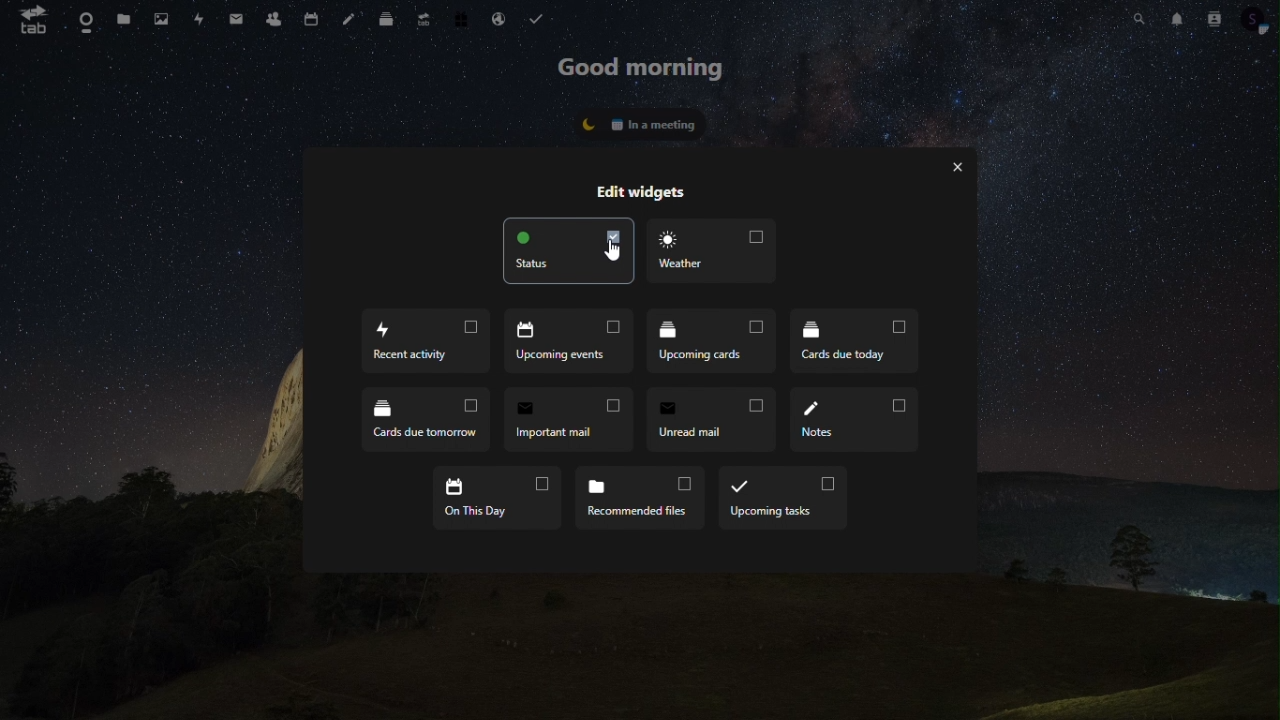  What do you see at coordinates (501, 22) in the screenshot?
I see `email hosting` at bounding box center [501, 22].